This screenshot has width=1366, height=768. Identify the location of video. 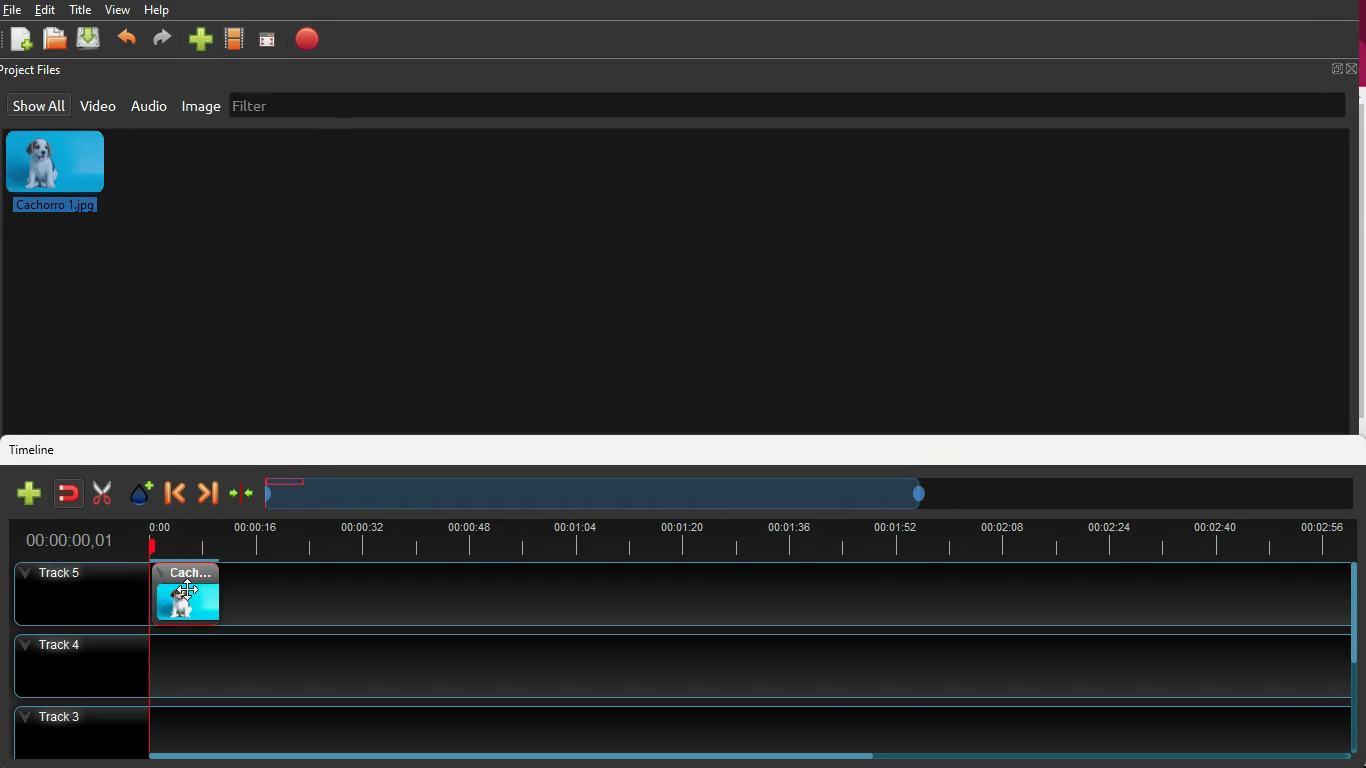
(188, 592).